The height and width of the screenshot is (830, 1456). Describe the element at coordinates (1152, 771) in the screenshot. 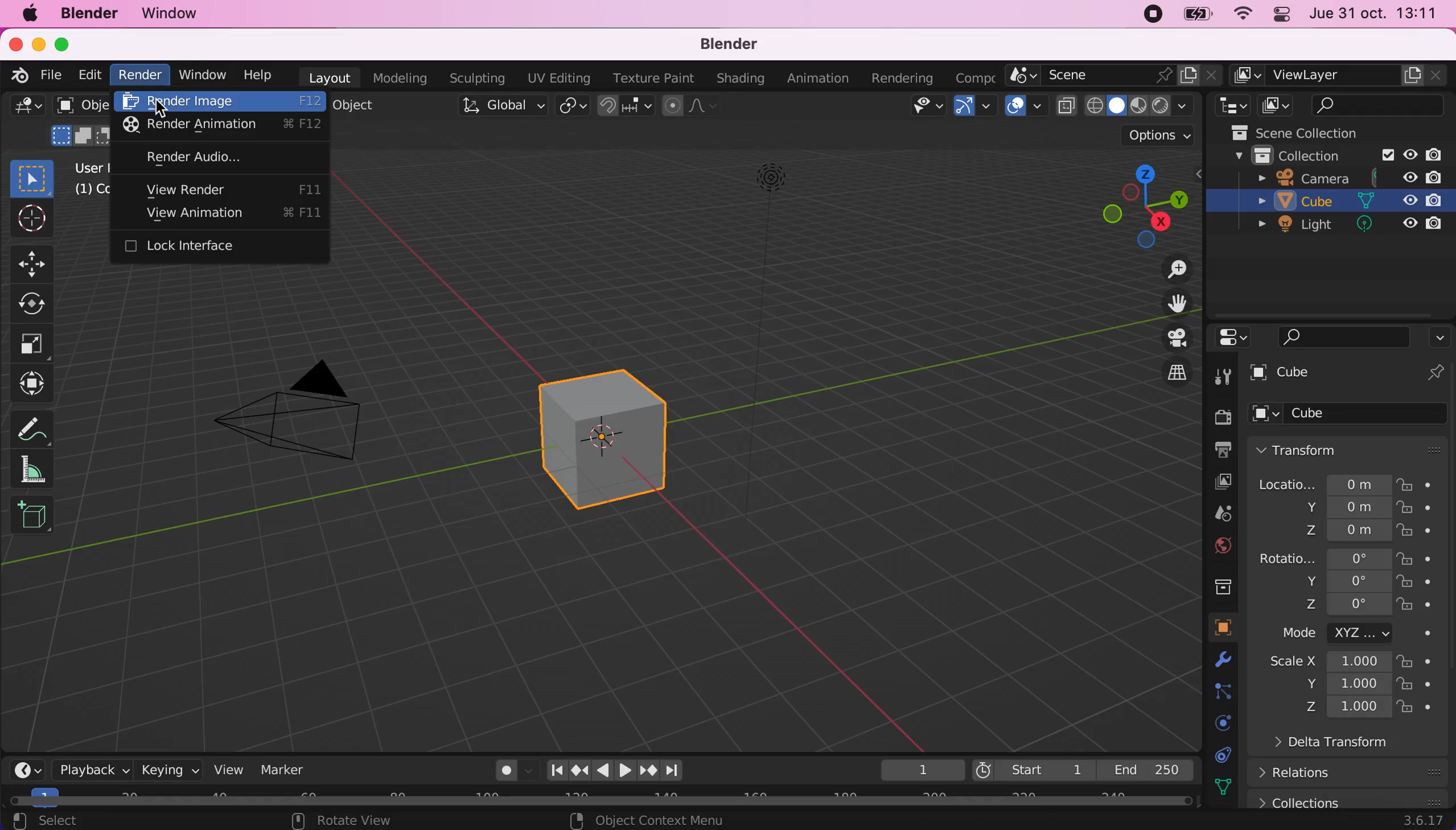

I see `end 250` at that location.